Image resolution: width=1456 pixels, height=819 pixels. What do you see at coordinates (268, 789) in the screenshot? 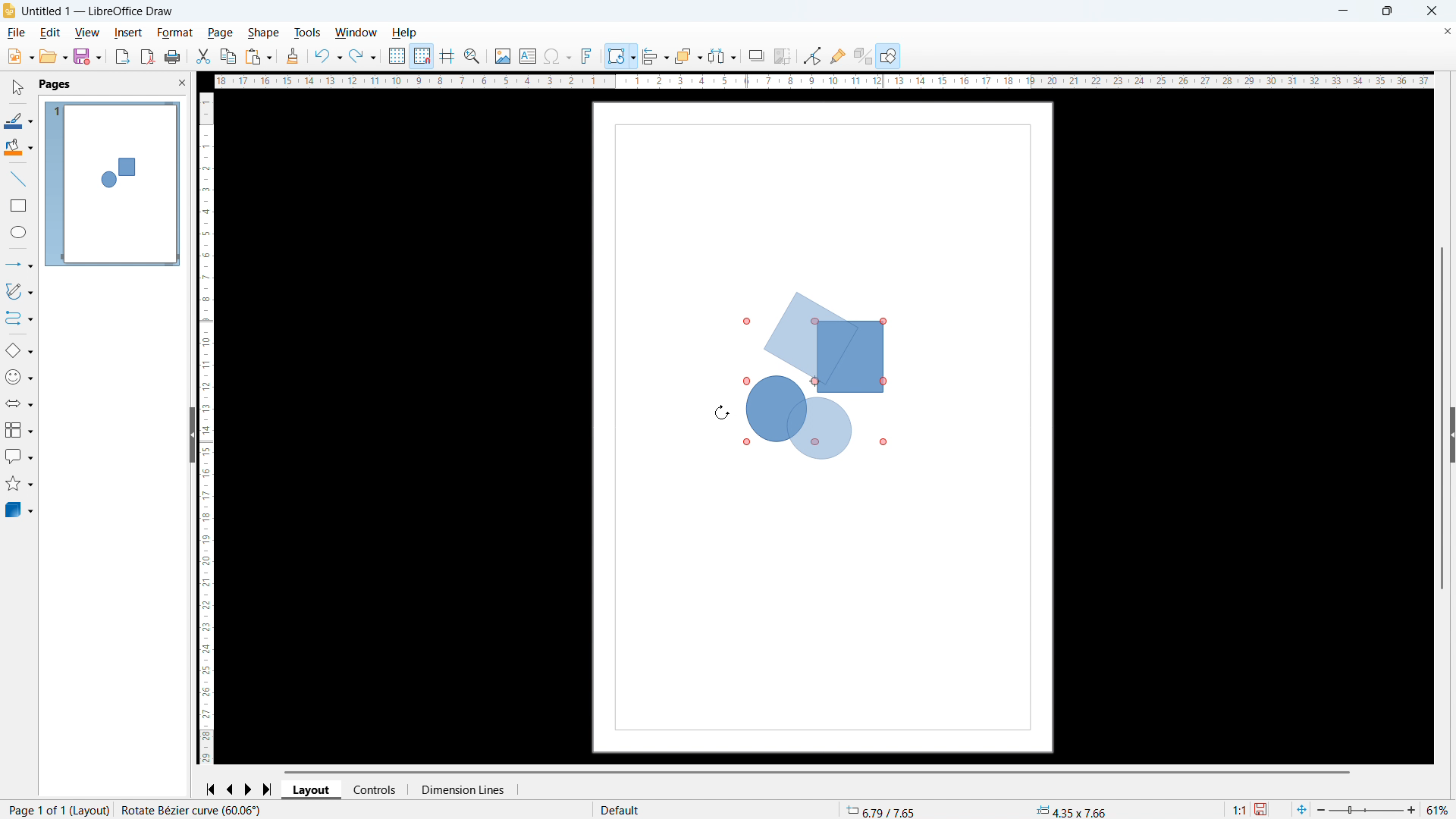
I see `Go to last page ` at bounding box center [268, 789].